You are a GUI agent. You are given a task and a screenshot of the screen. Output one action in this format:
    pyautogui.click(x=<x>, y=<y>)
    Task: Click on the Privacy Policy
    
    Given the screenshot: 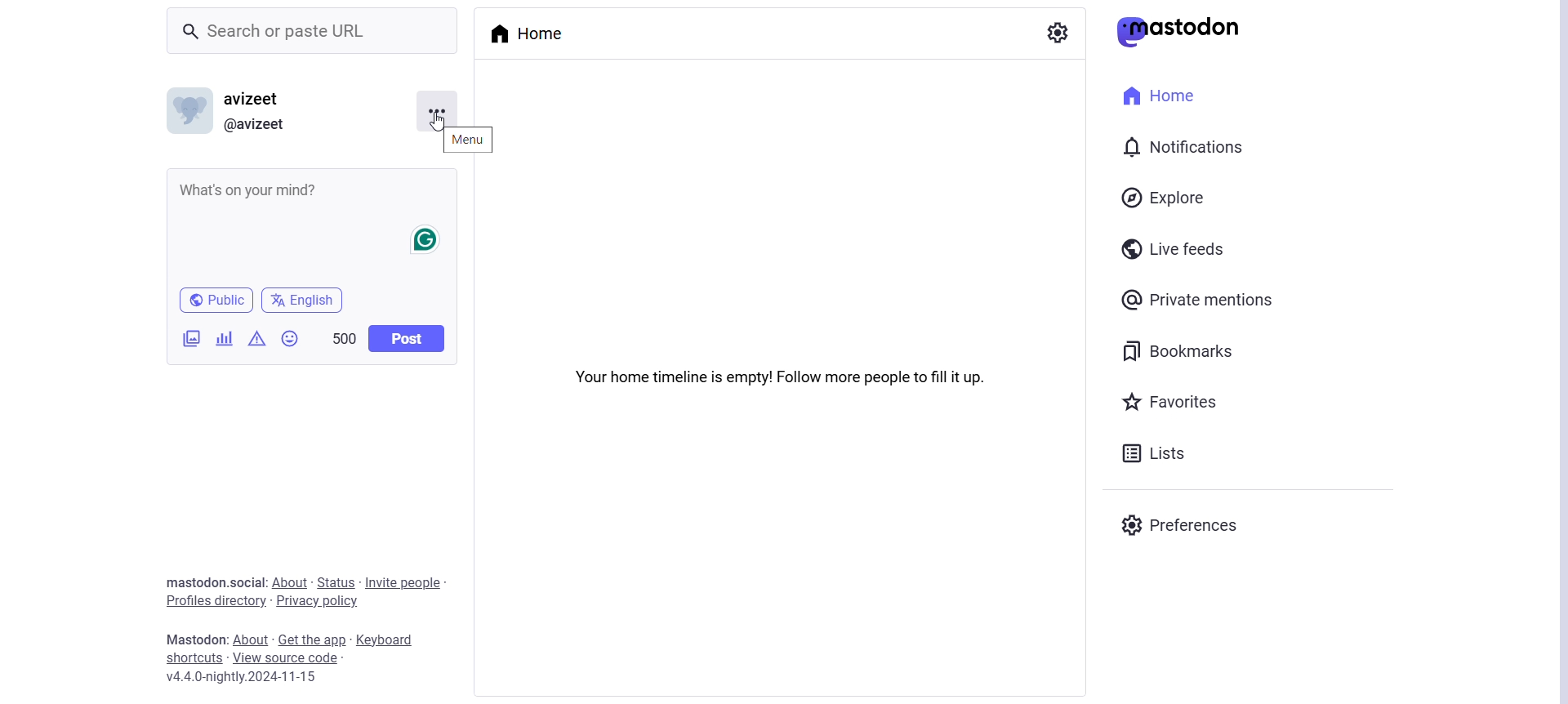 What is the action you would take?
    pyautogui.click(x=318, y=600)
    